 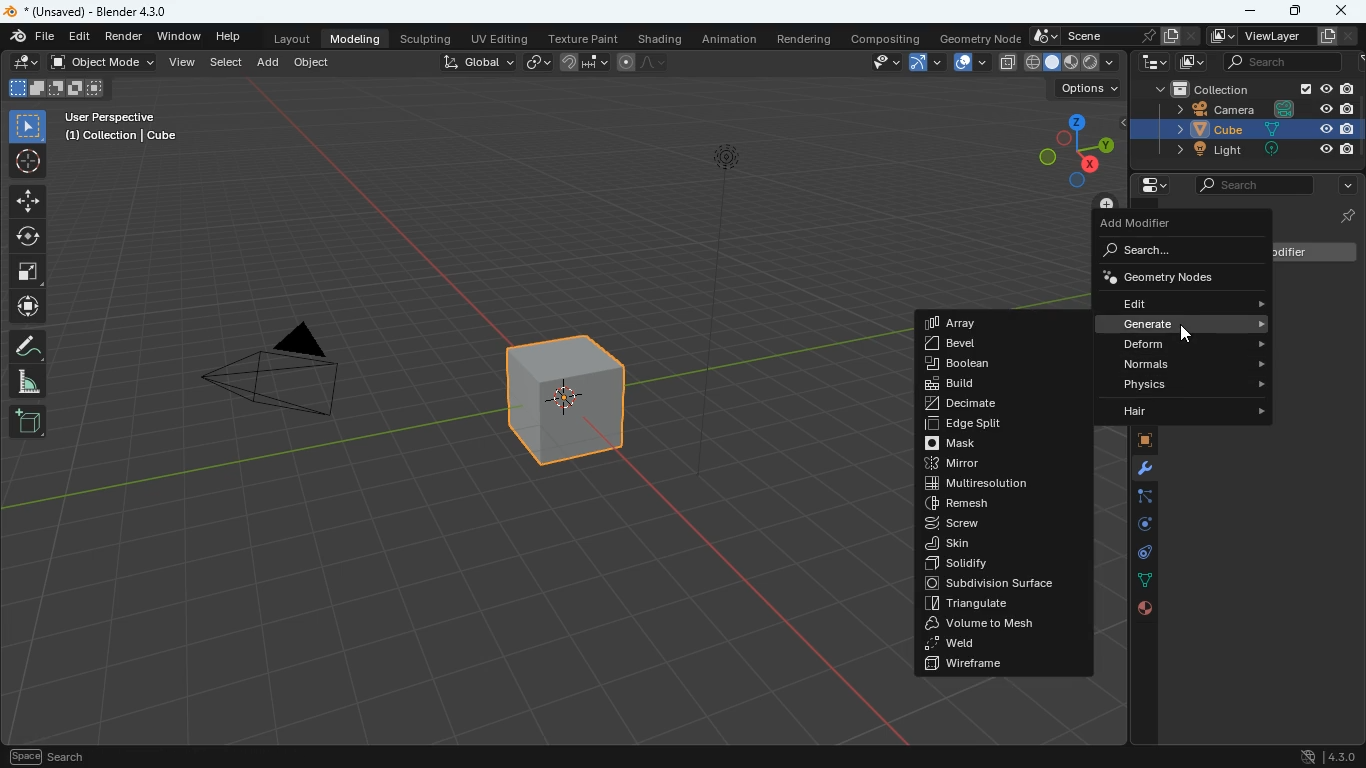 What do you see at coordinates (976, 323) in the screenshot?
I see `array` at bounding box center [976, 323].